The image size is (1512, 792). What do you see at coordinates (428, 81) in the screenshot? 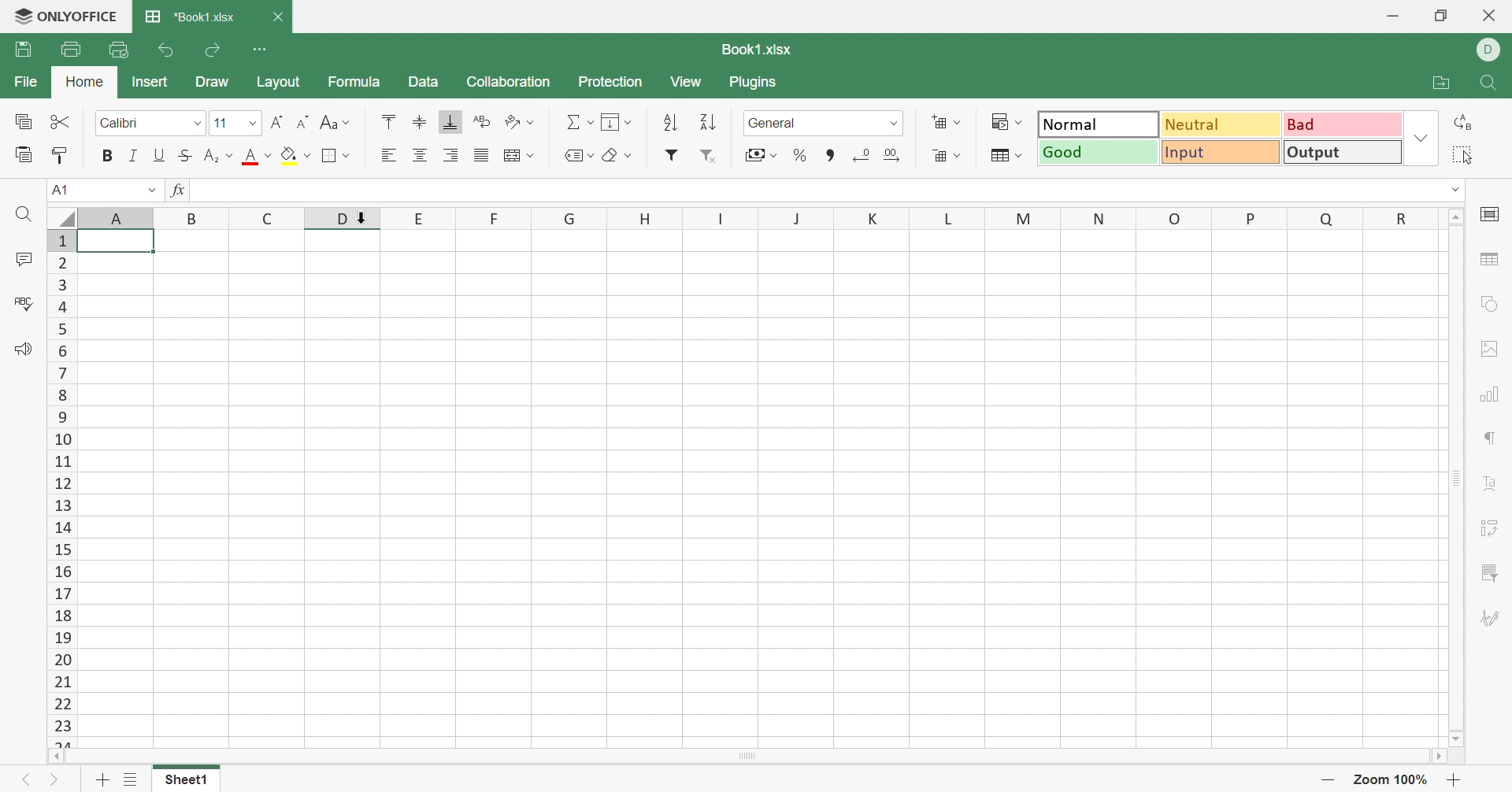
I see `Data` at bounding box center [428, 81].